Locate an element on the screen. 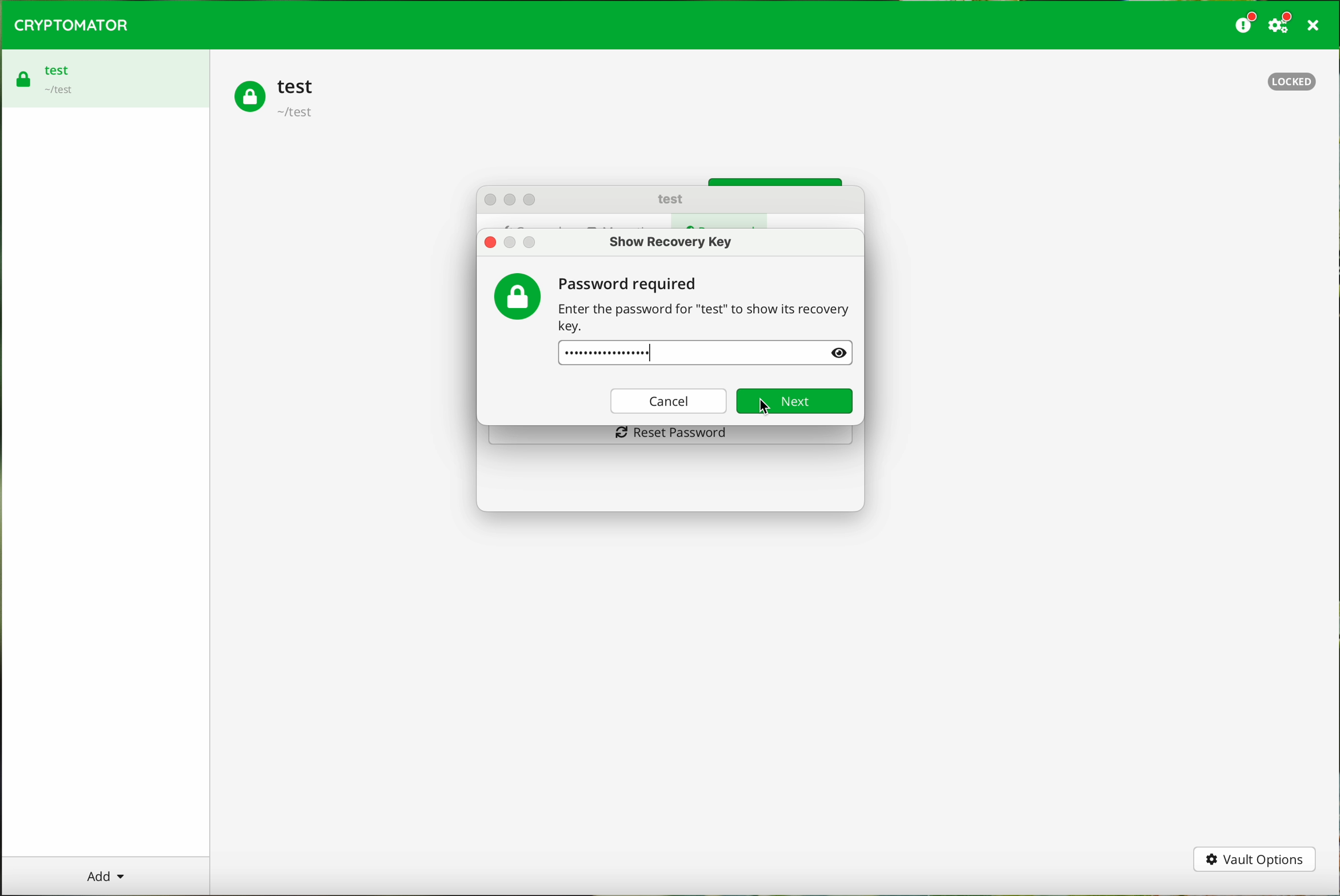 This screenshot has width=1340, height=896. next is located at coordinates (795, 402).